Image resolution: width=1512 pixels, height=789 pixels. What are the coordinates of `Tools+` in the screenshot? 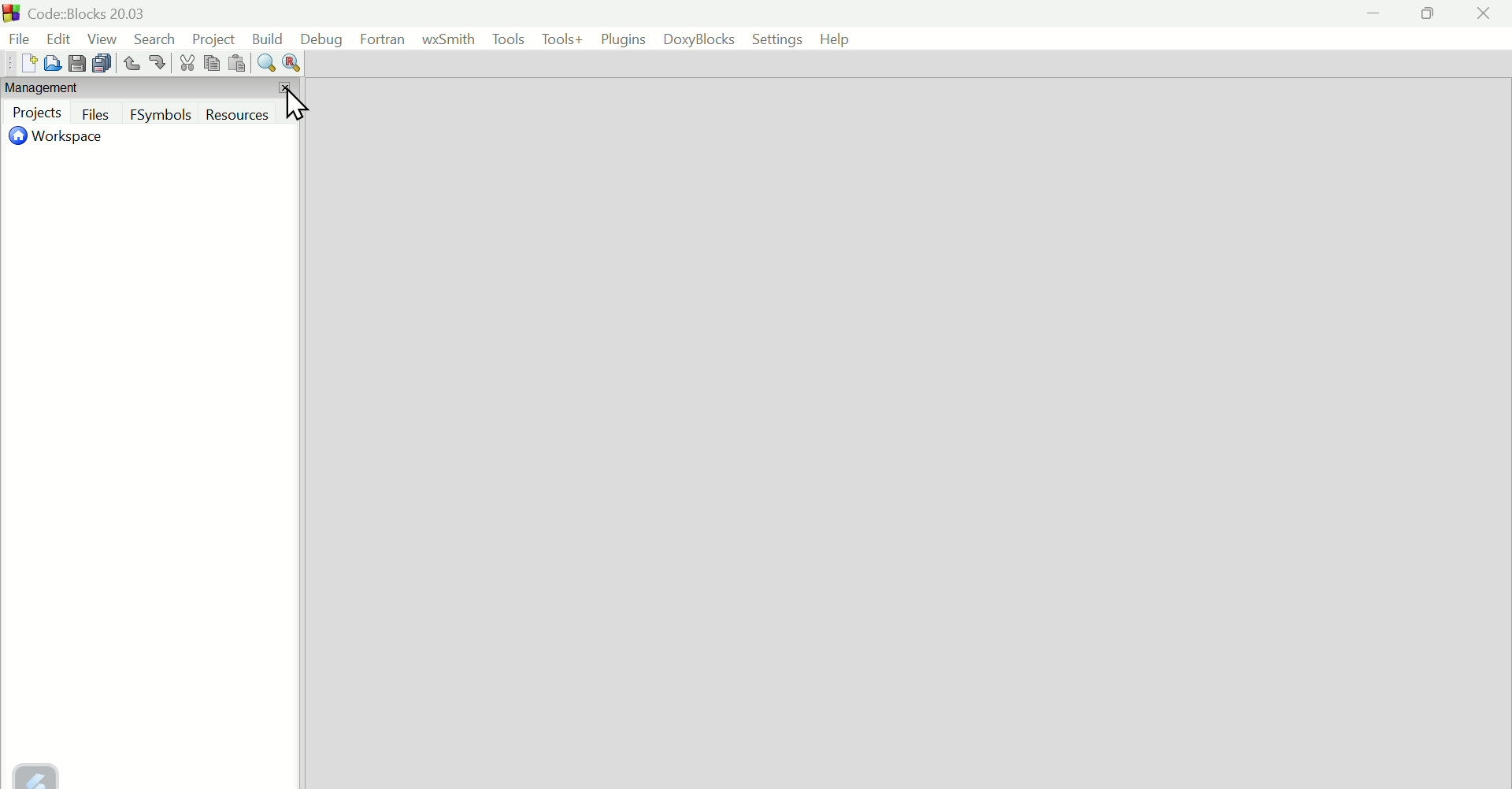 It's located at (562, 40).